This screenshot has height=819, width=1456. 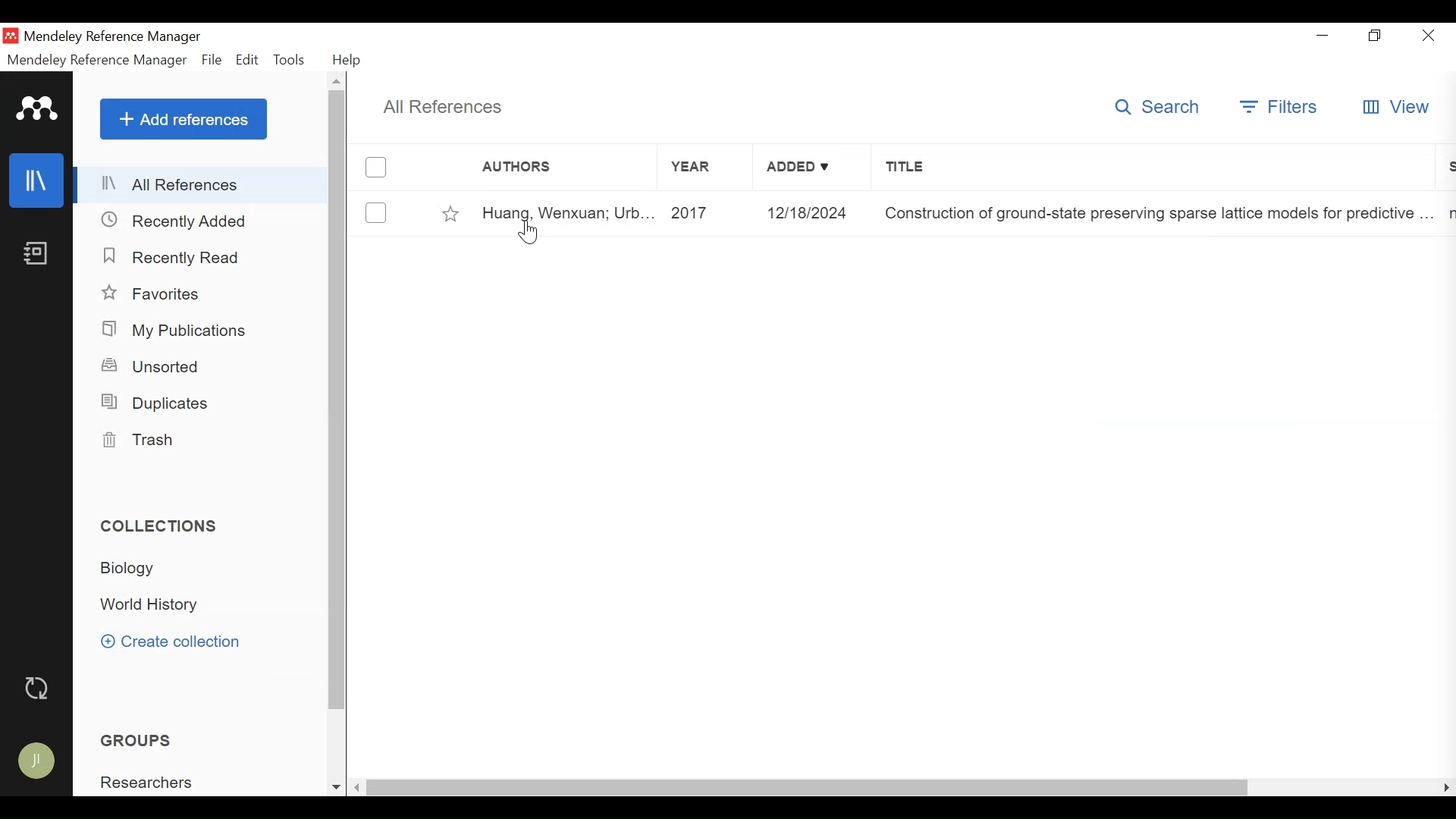 I want to click on Library, so click(x=37, y=180).